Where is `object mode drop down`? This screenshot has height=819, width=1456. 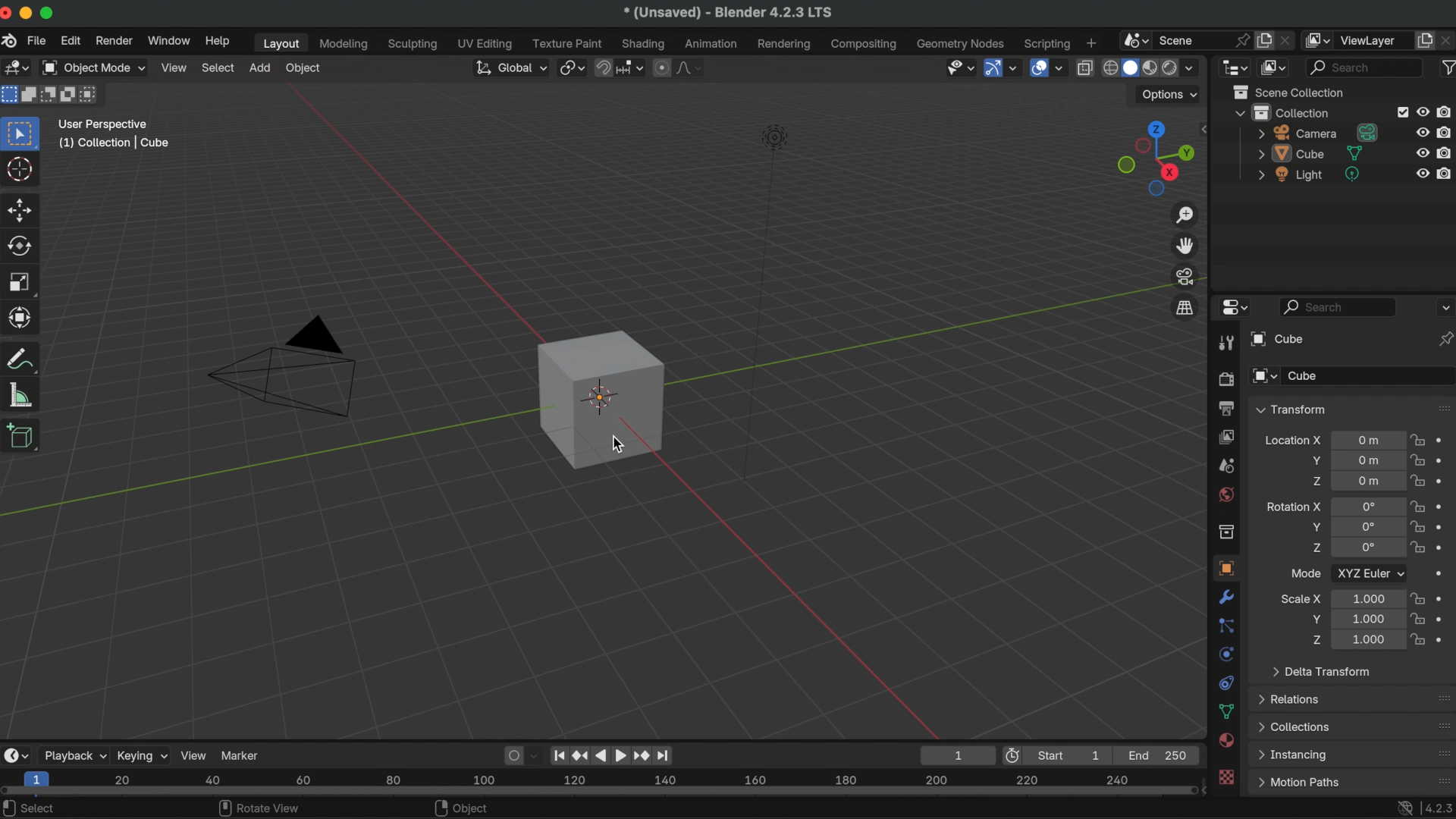 object mode drop down is located at coordinates (93, 68).